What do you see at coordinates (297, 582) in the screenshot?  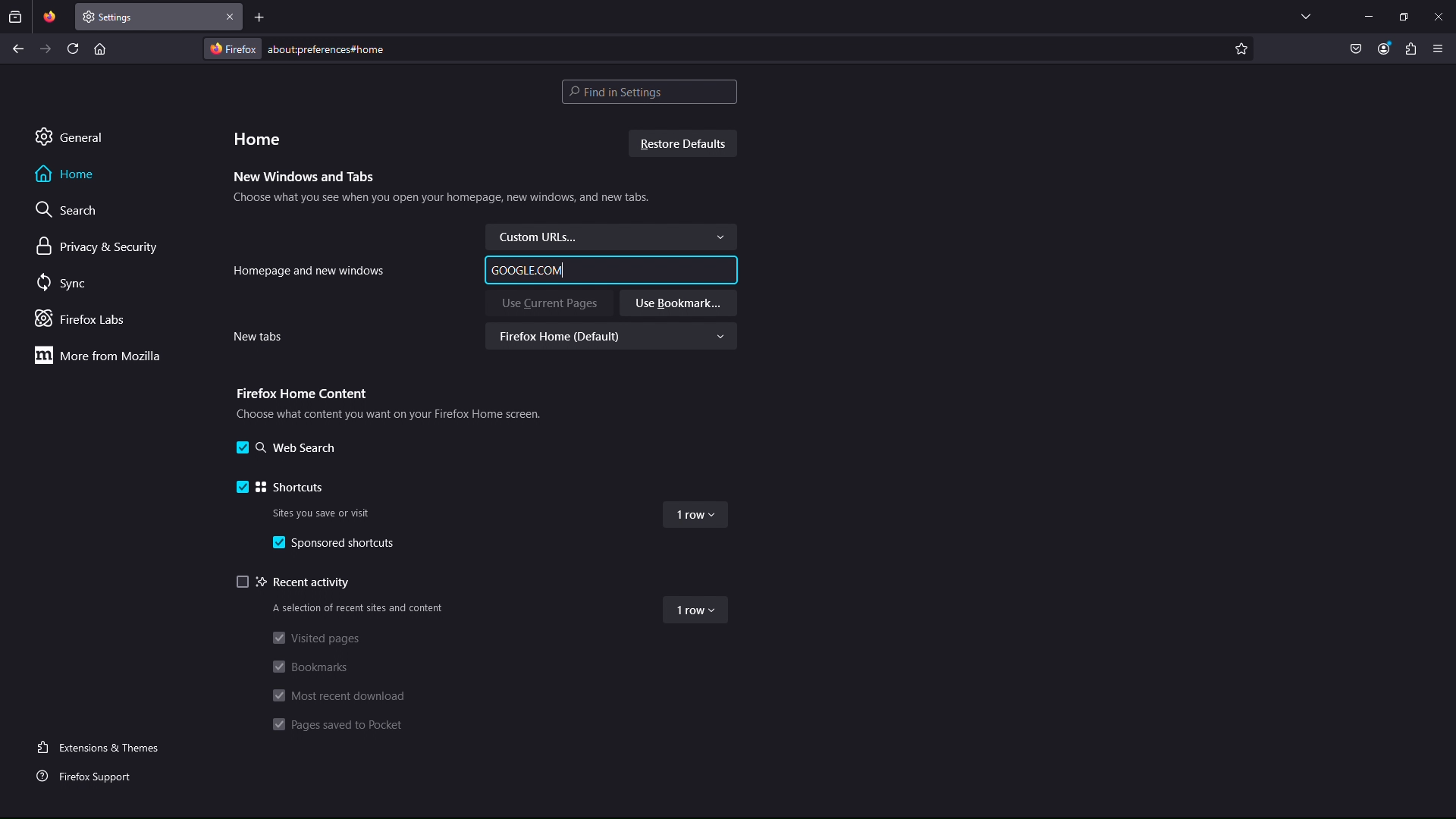 I see `Recent activity` at bounding box center [297, 582].